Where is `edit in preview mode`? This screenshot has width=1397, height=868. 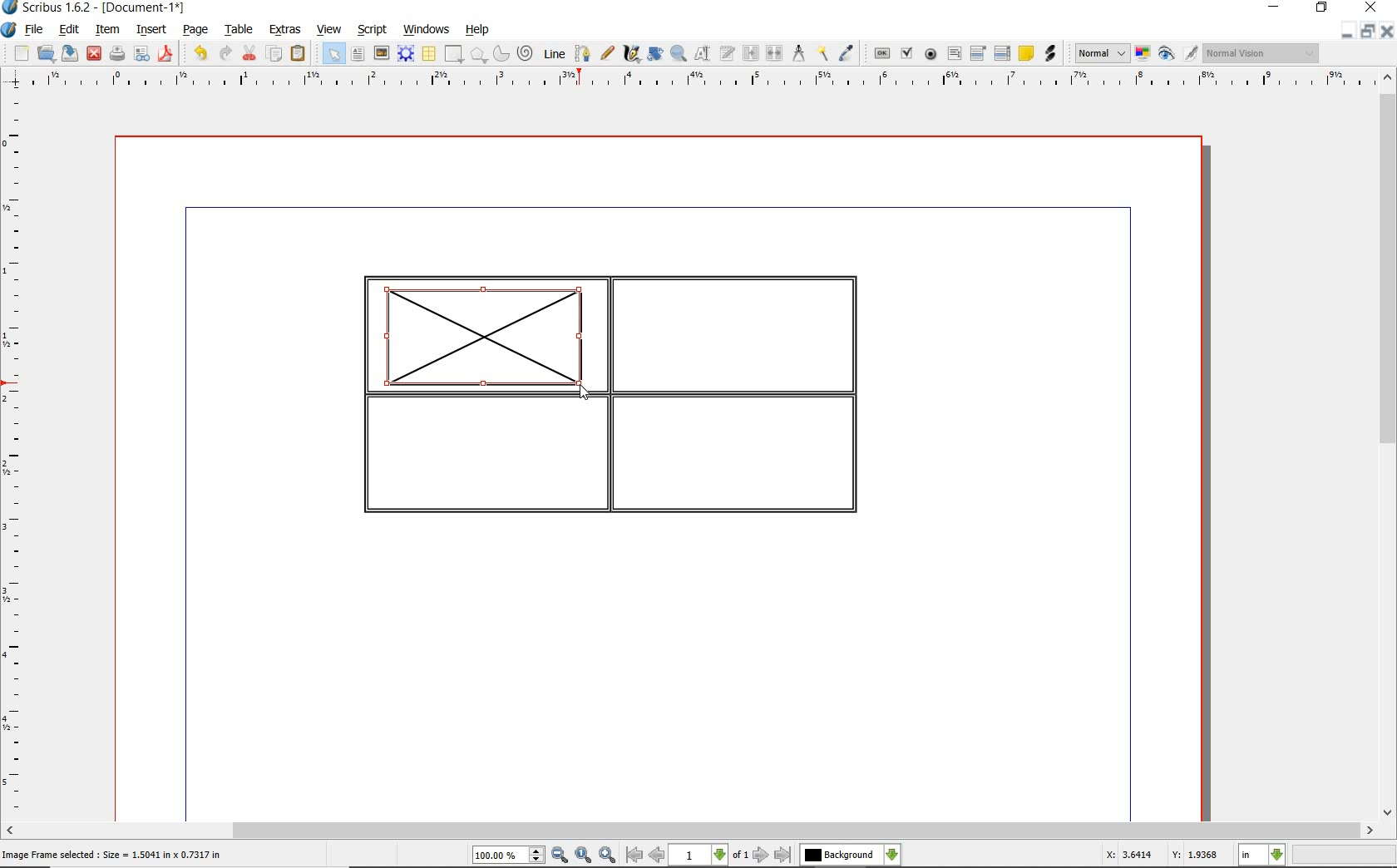 edit in preview mode is located at coordinates (1190, 54).